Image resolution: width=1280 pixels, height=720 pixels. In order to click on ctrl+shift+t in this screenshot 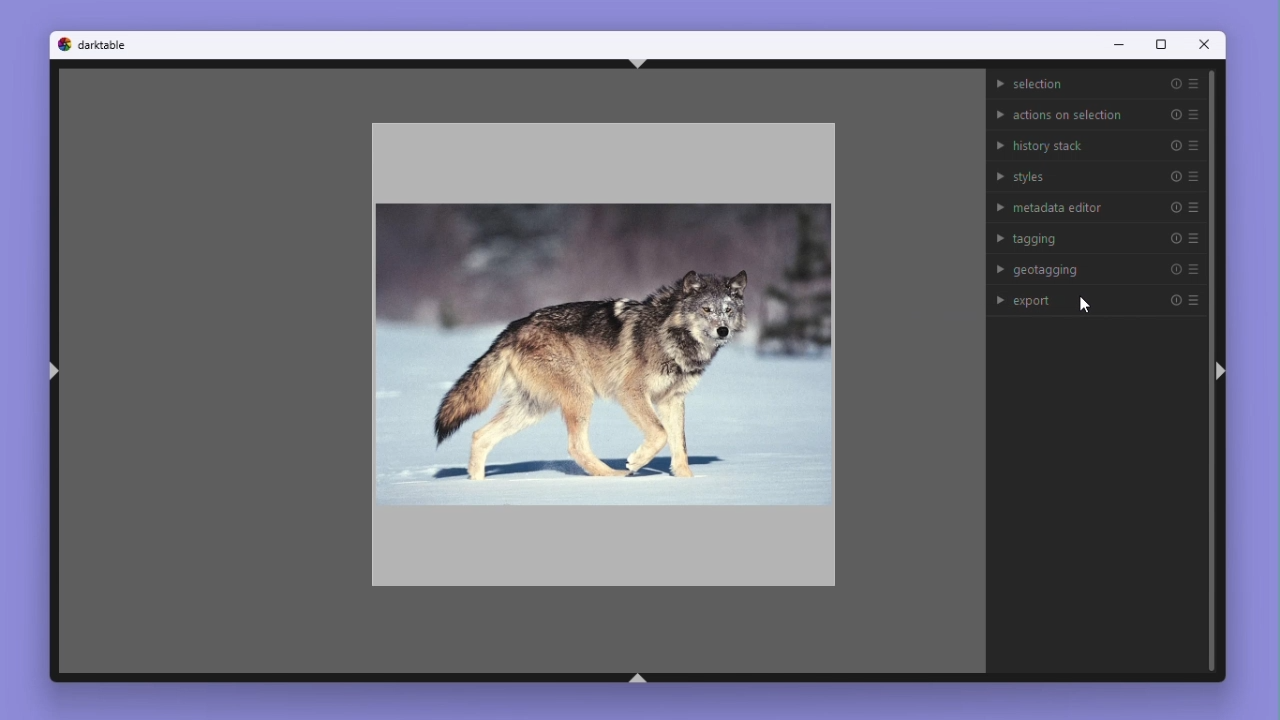, I will do `click(635, 63)`.